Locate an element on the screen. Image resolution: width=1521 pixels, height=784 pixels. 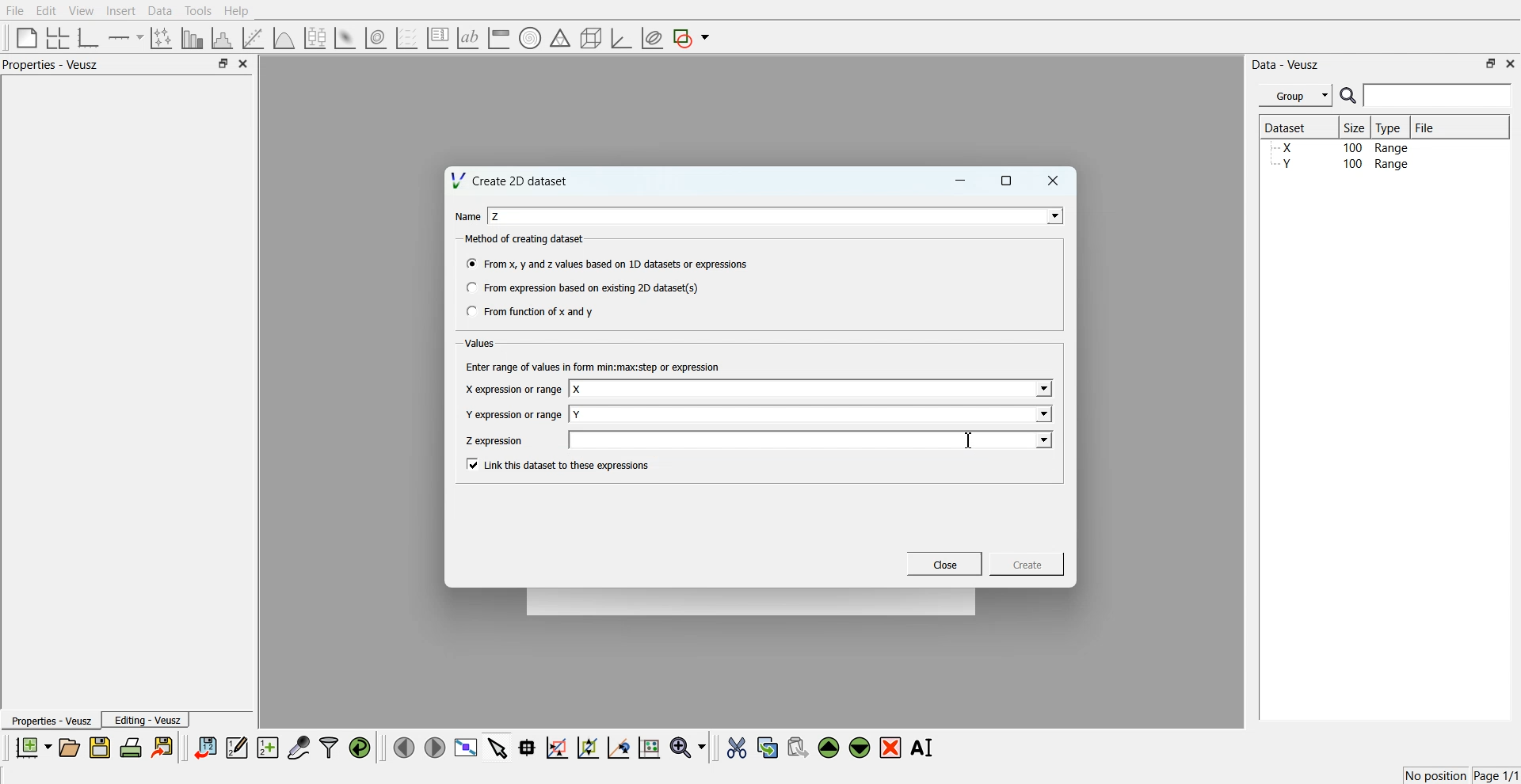
3D Scene is located at coordinates (592, 39).